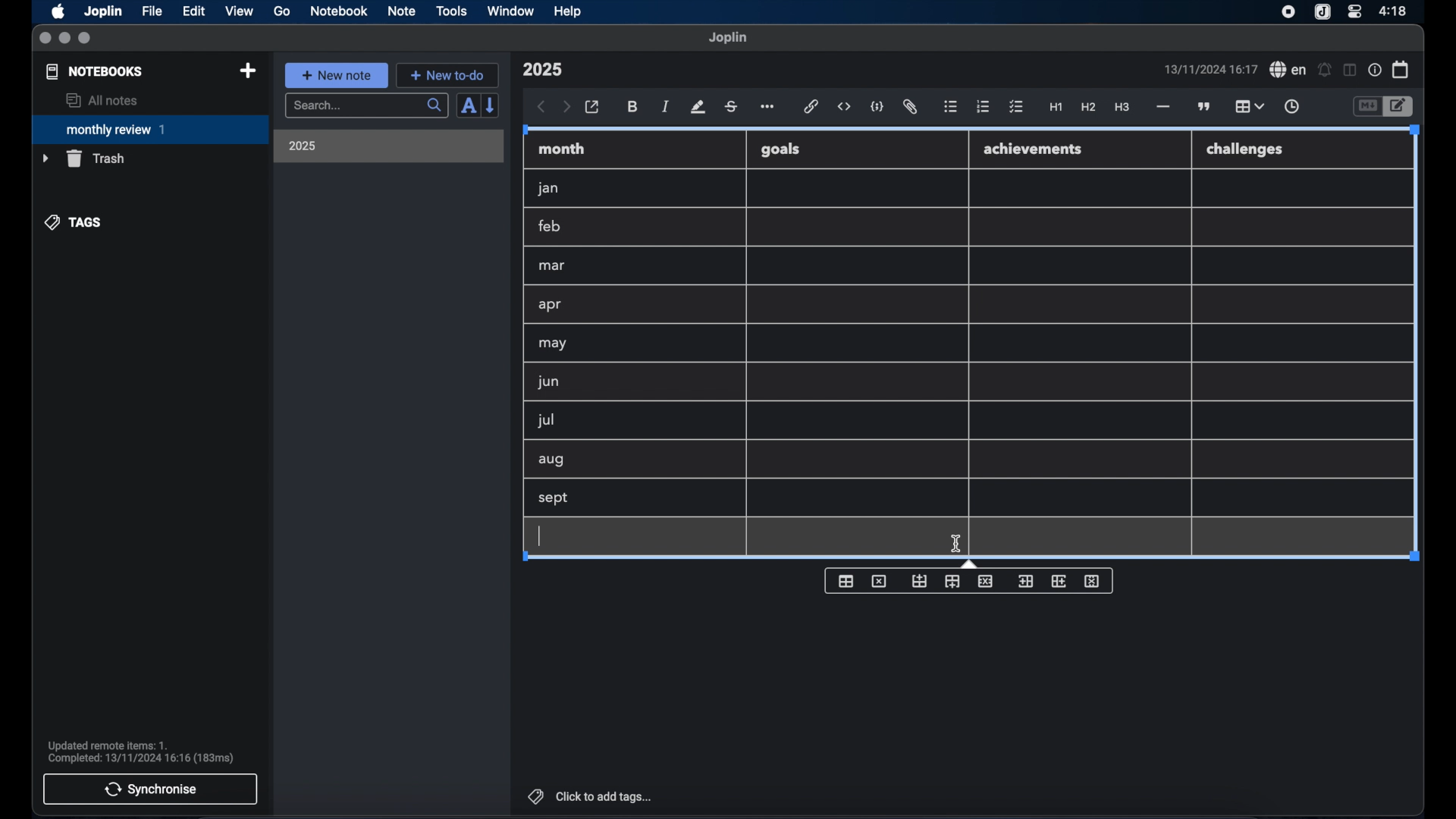  Describe the element at coordinates (448, 75) in the screenshot. I see `new to-do` at that location.